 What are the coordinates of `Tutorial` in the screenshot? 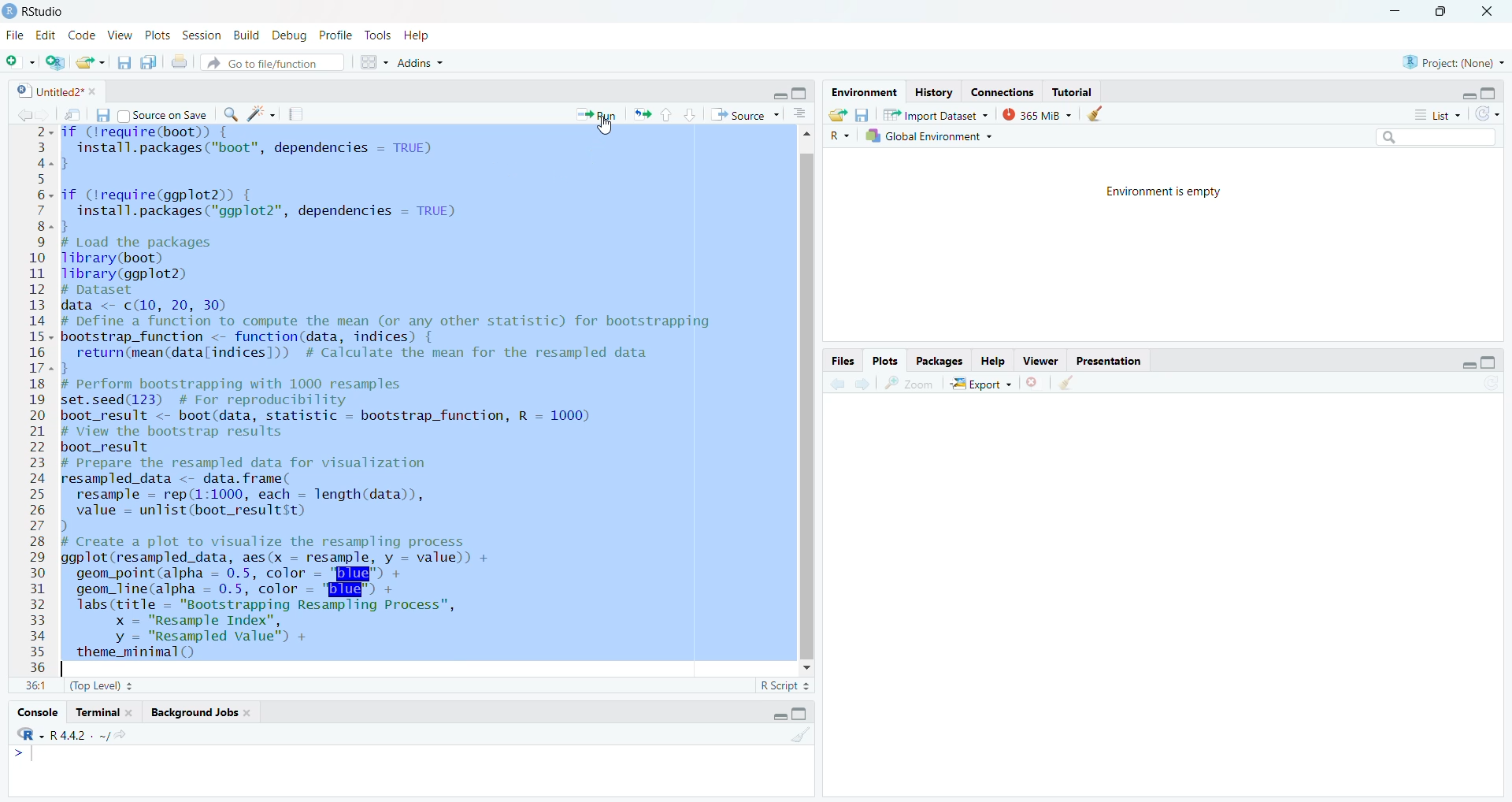 It's located at (1077, 94).